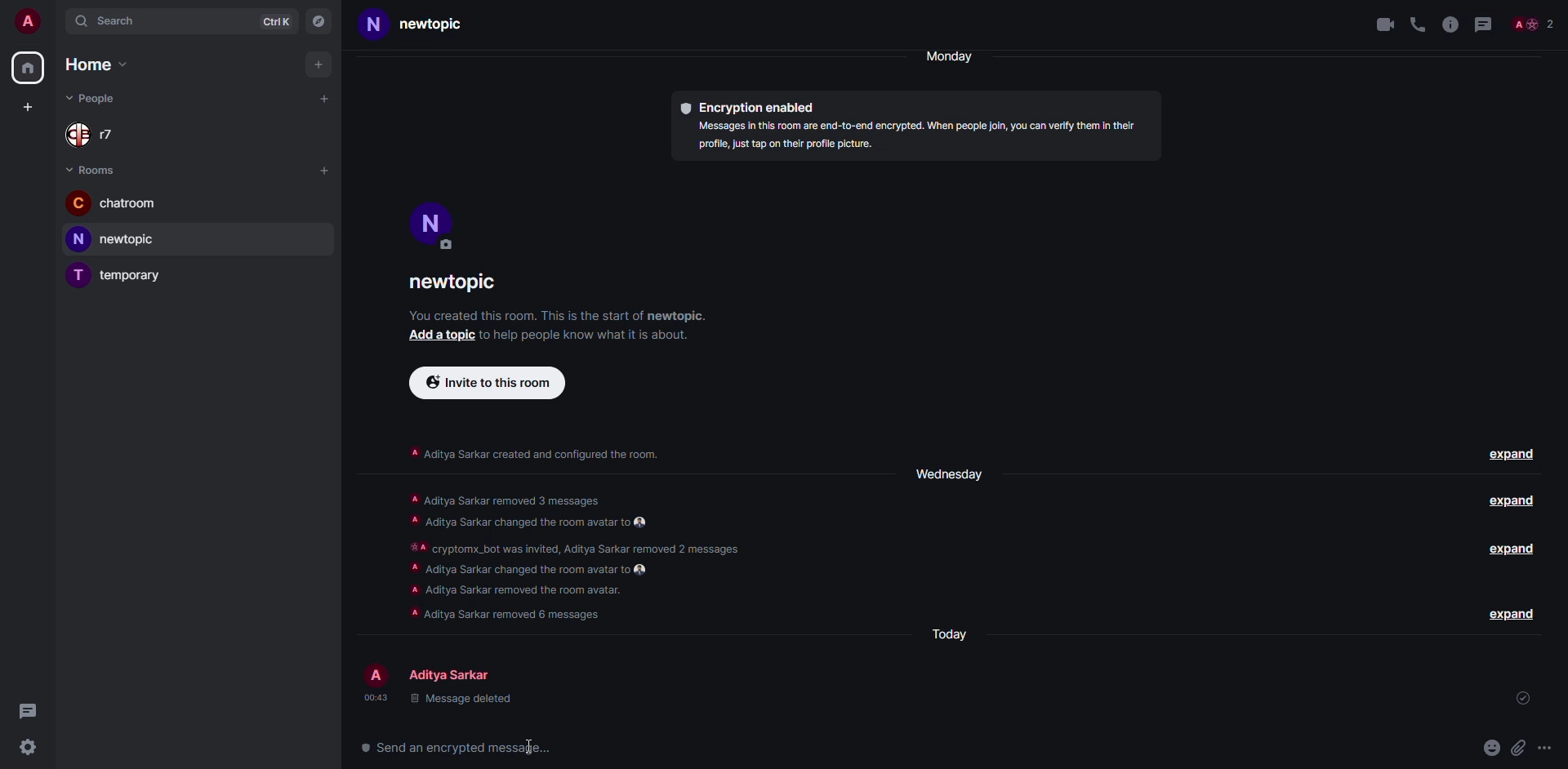 The width and height of the screenshot is (1568, 769). What do you see at coordinates (453, 746) in the screenshot?
I see `send an encrypted message` at bounding box center [453, 746].